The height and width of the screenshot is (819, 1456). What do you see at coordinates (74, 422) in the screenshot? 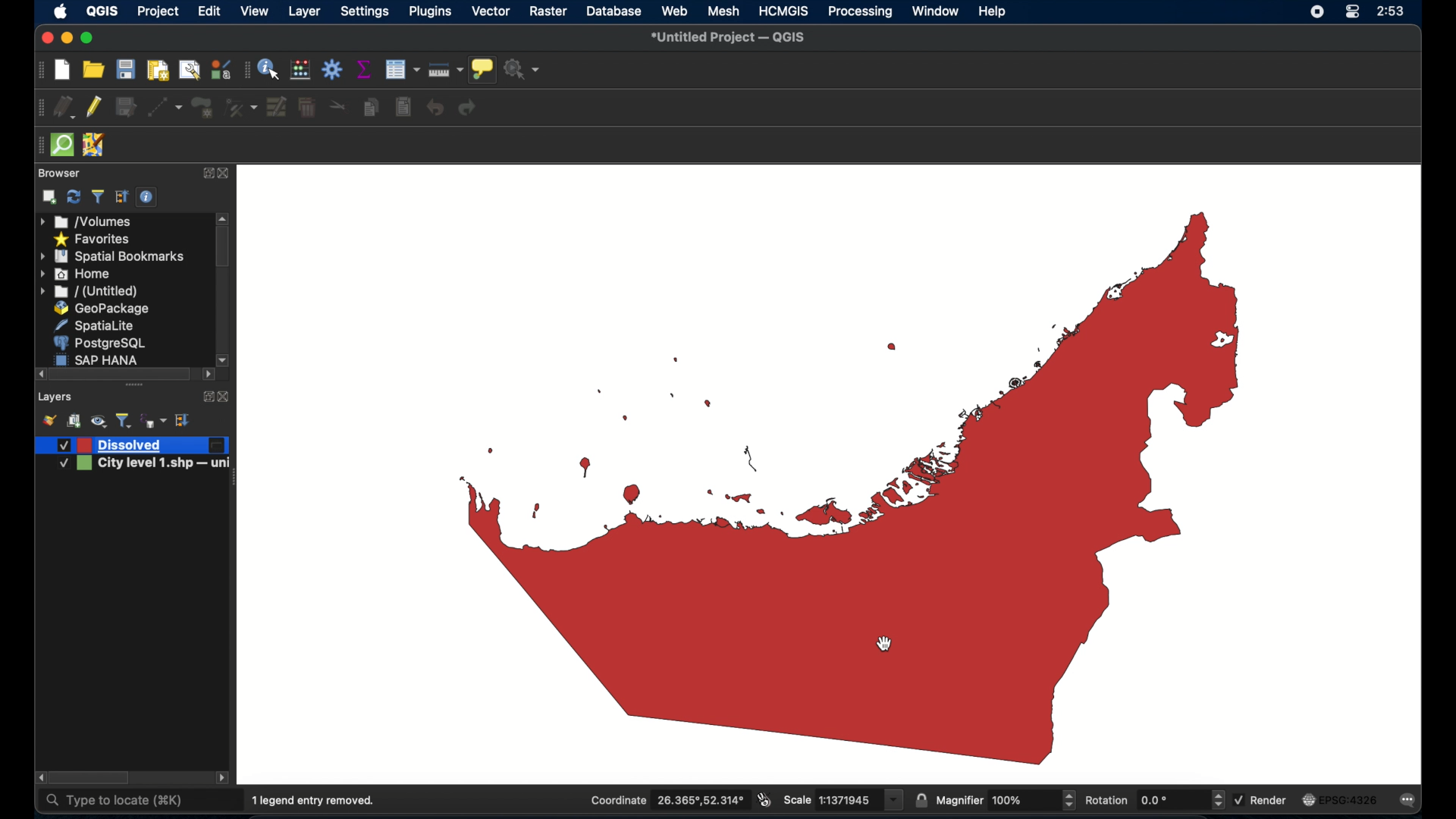
I see `add group` at bounding box center [74, 422].